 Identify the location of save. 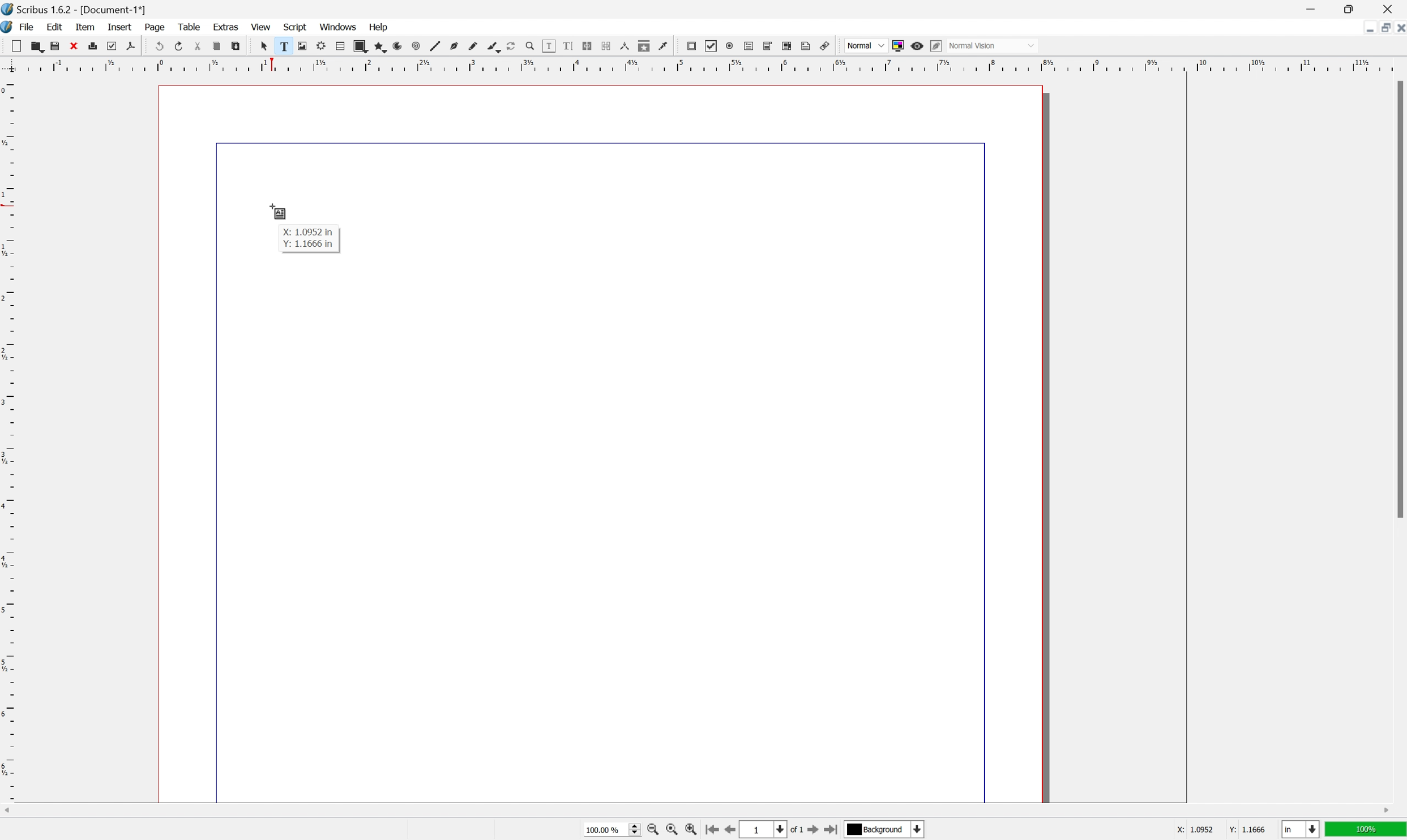
(55, 46).